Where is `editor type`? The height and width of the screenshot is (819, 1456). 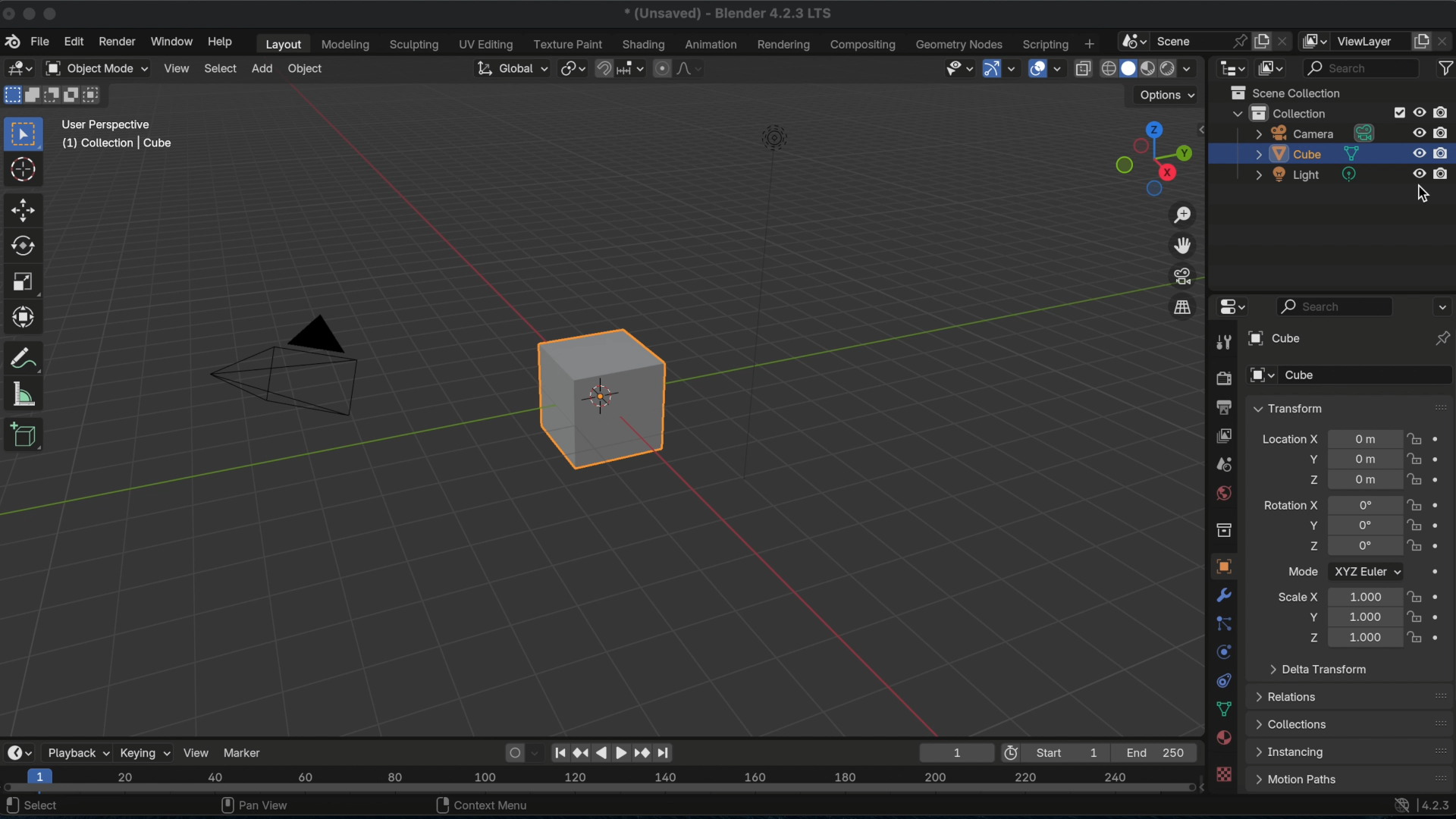 editor type is located at coordinates (1232, 68).